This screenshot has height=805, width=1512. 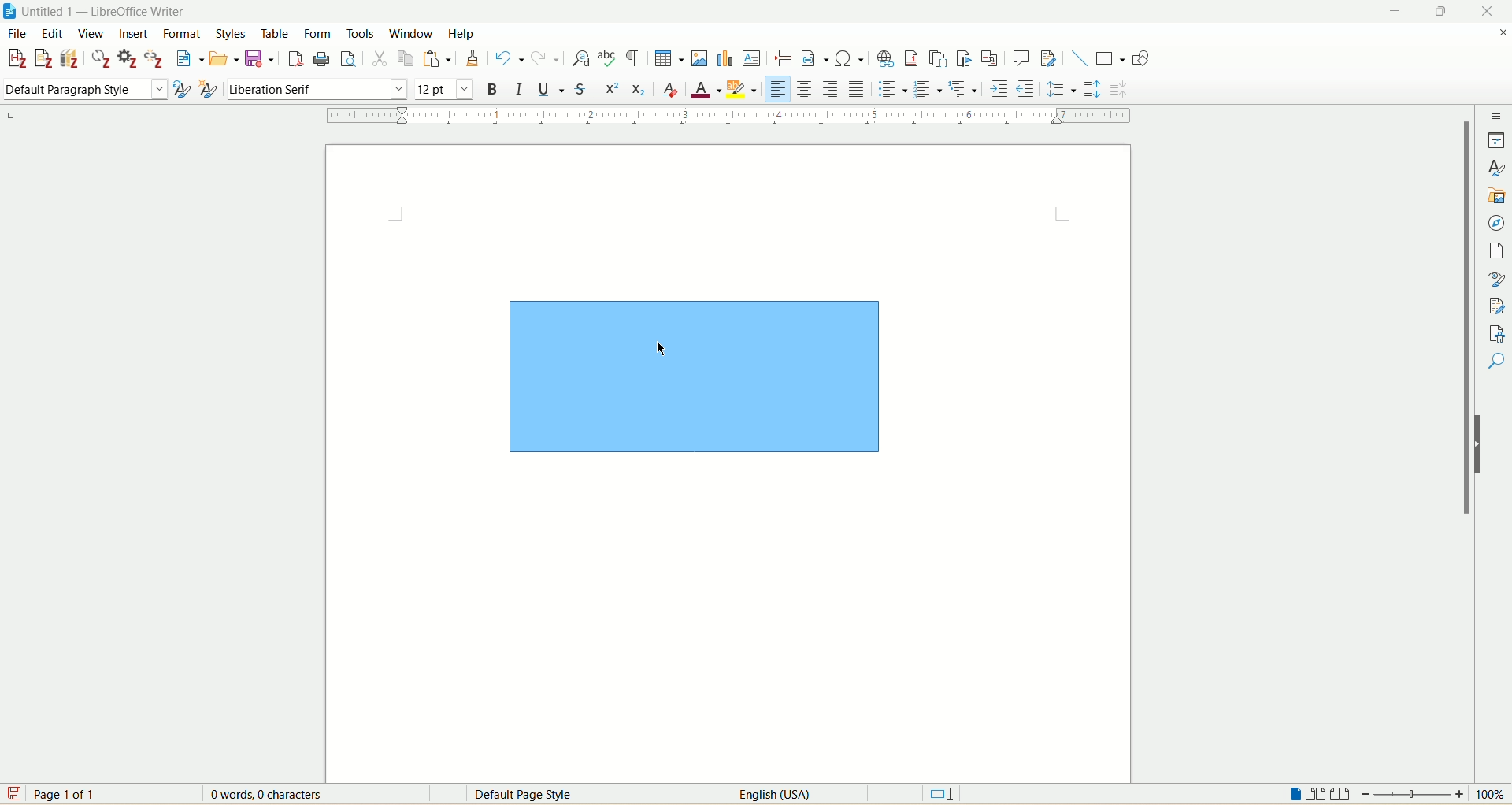 What do you see at coordinates (939, 59) in the screenshot?
I see `insert endnote` at bounding box center [939, 59].